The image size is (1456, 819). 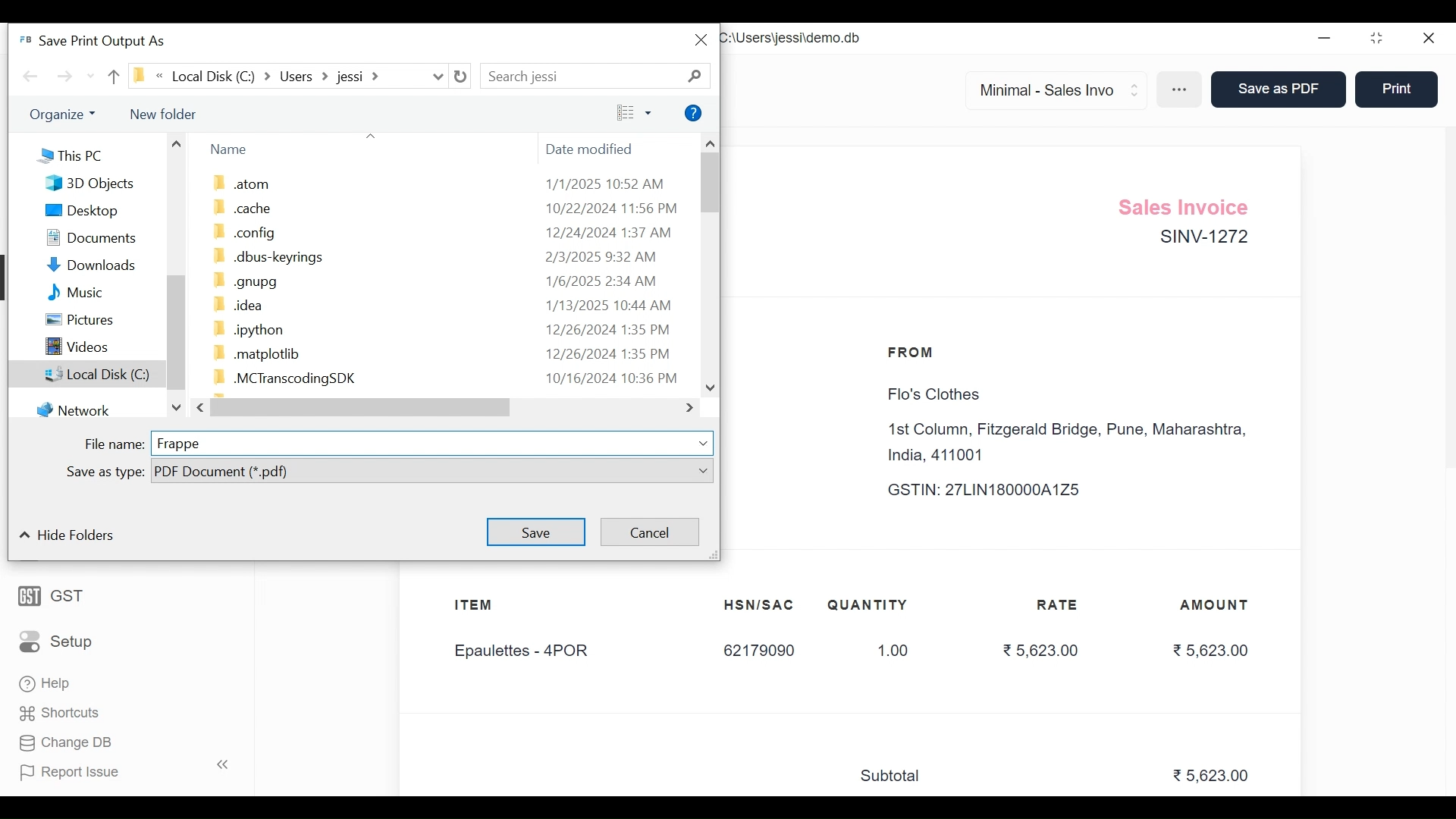 I want to click on Date modified, so click(x=594, y=152).